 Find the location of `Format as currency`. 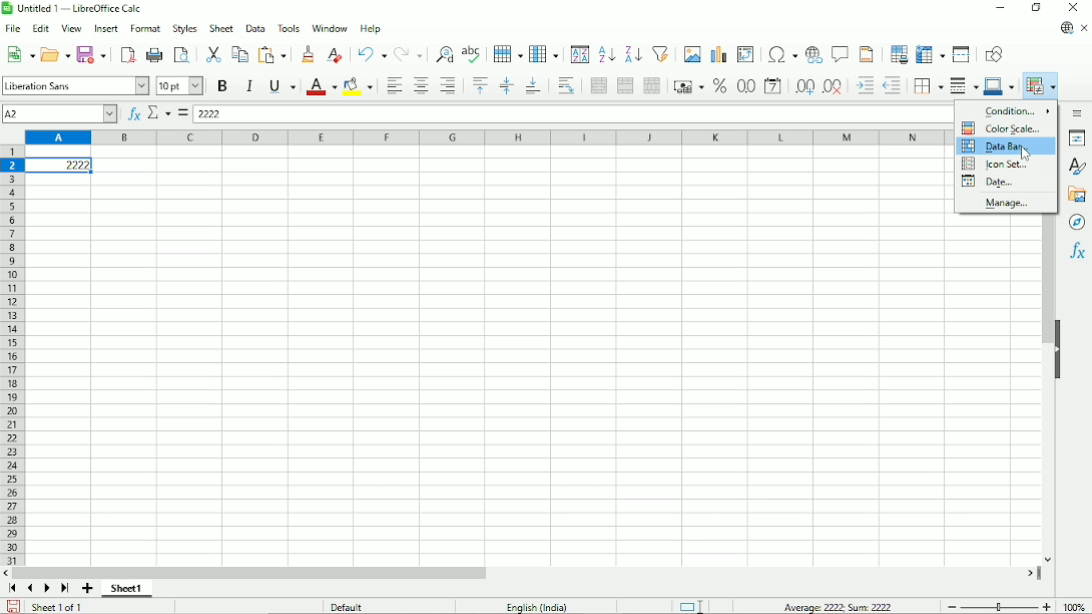

Format as currency is located at coordinates (686, 85).